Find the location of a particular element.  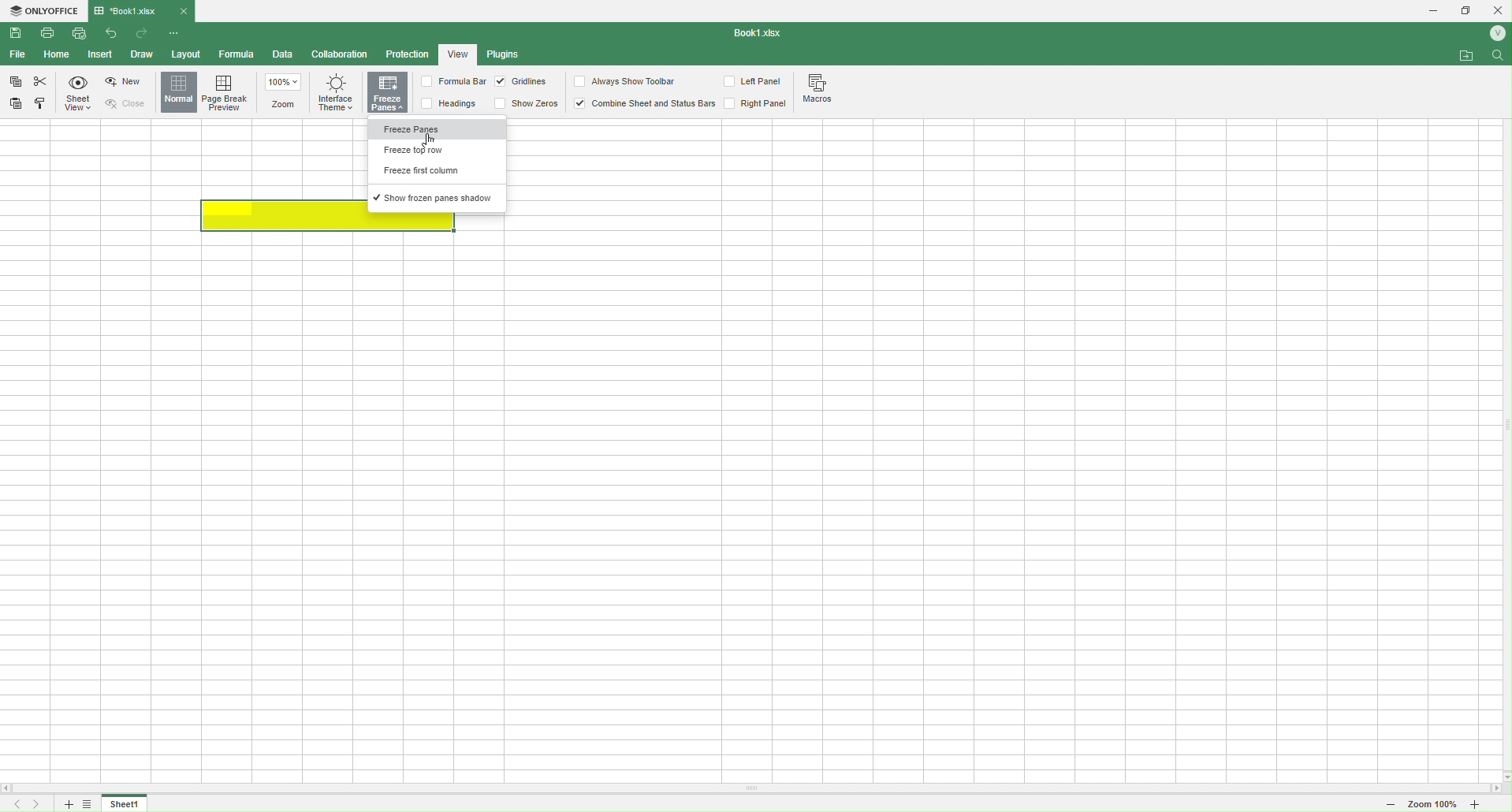

Show zeros is located at coordinates (527, 102).